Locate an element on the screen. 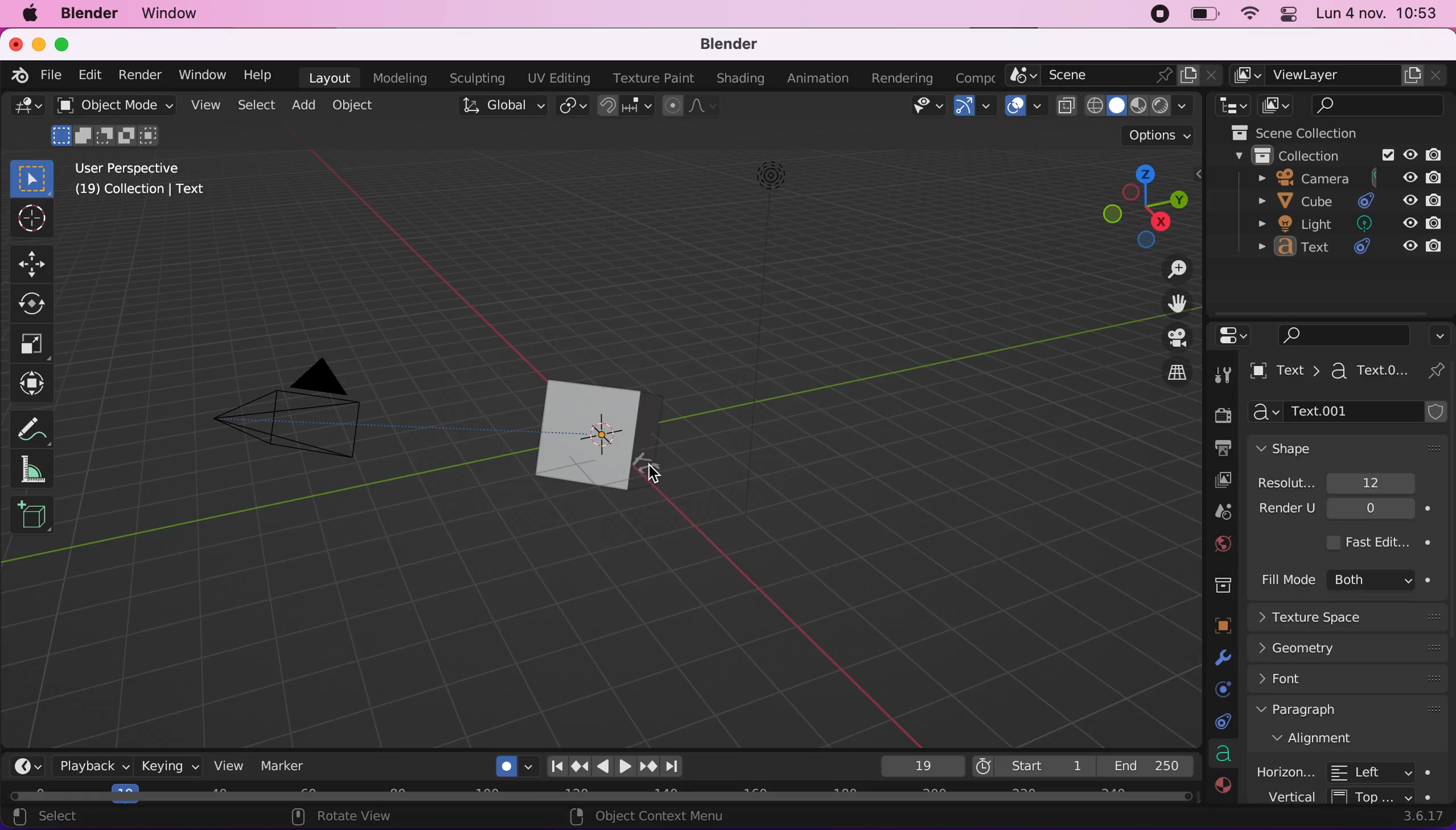 The height and width of the screenshot is (830, 1456). time and date is located at coordinates (1378, 15).